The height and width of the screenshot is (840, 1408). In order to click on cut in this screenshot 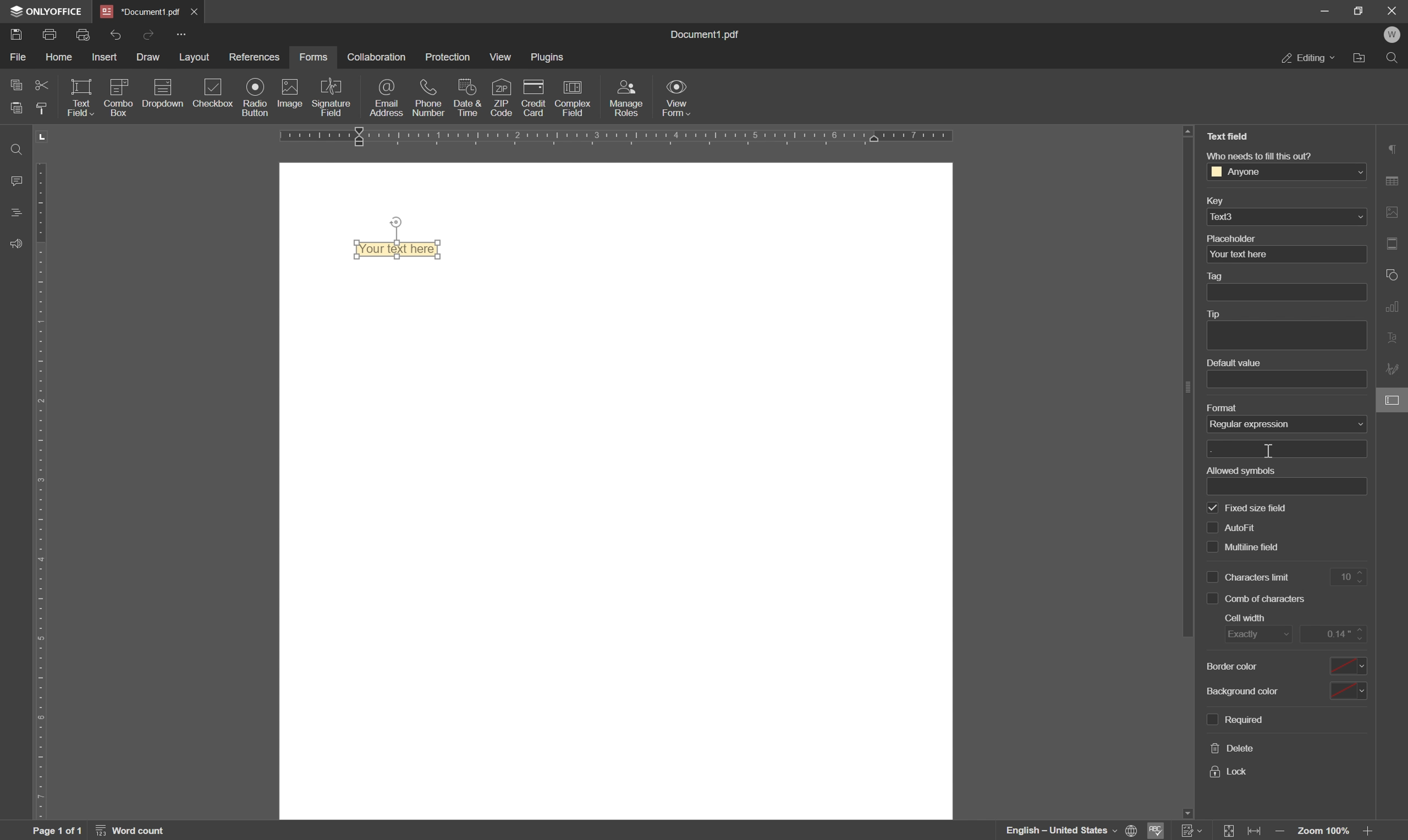, I will do `click(41, 84)`.